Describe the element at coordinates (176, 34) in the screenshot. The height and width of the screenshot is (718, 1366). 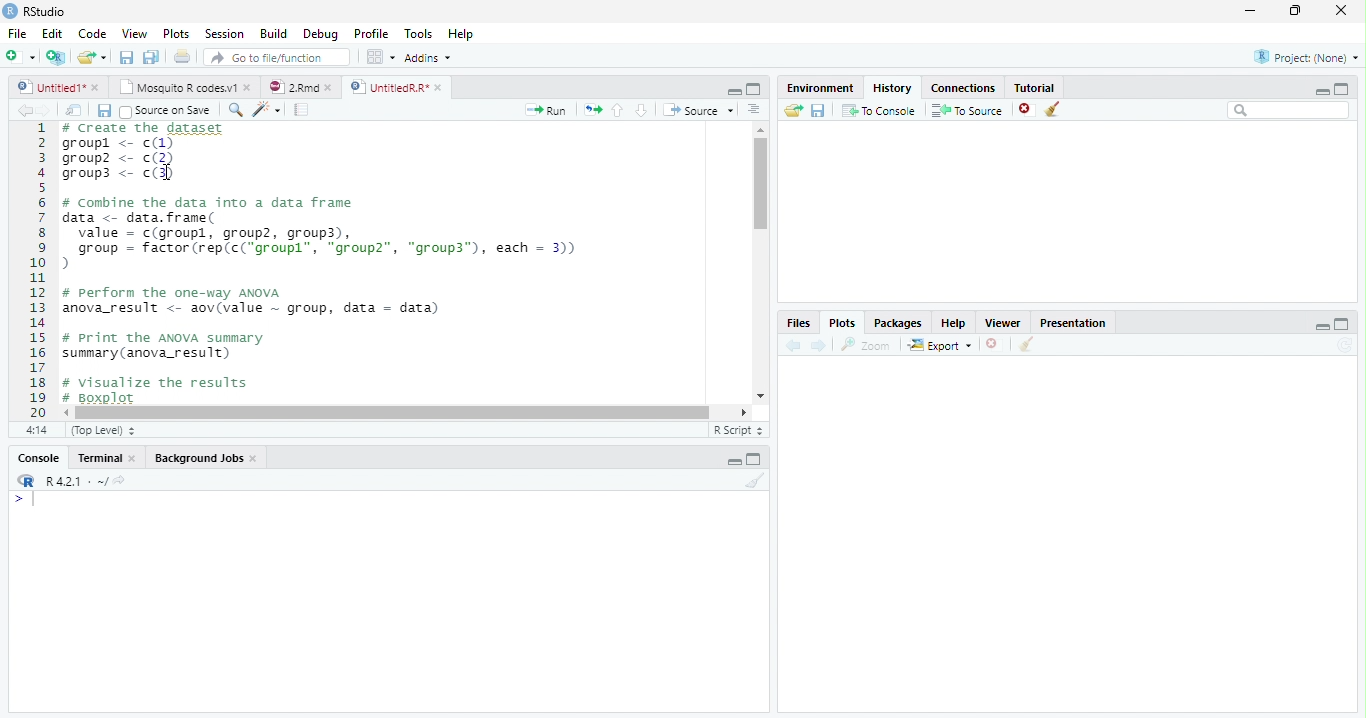
I see `Plots` at that location.